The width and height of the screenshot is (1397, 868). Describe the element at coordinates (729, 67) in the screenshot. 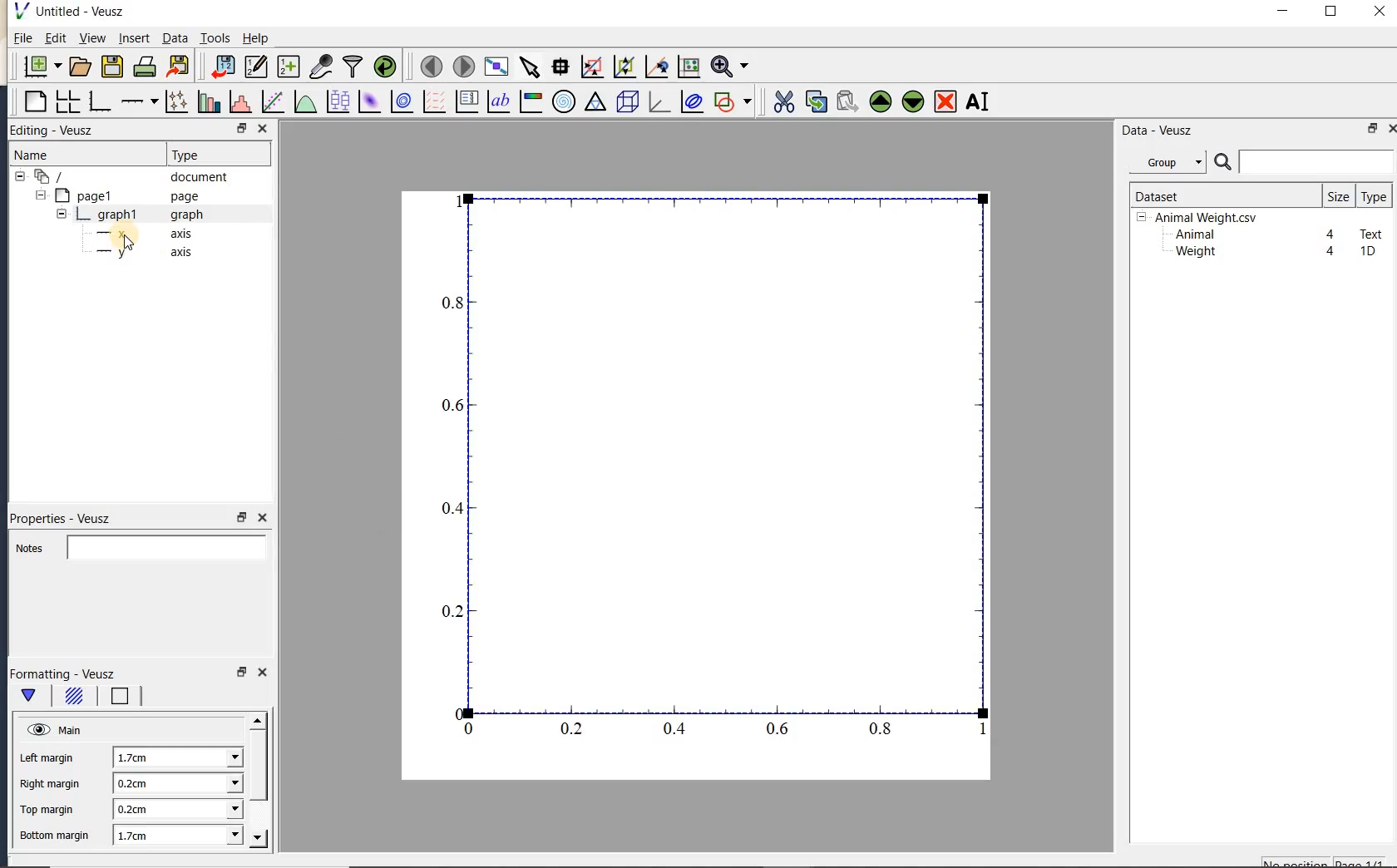

I see `zoom function menus` at that location.